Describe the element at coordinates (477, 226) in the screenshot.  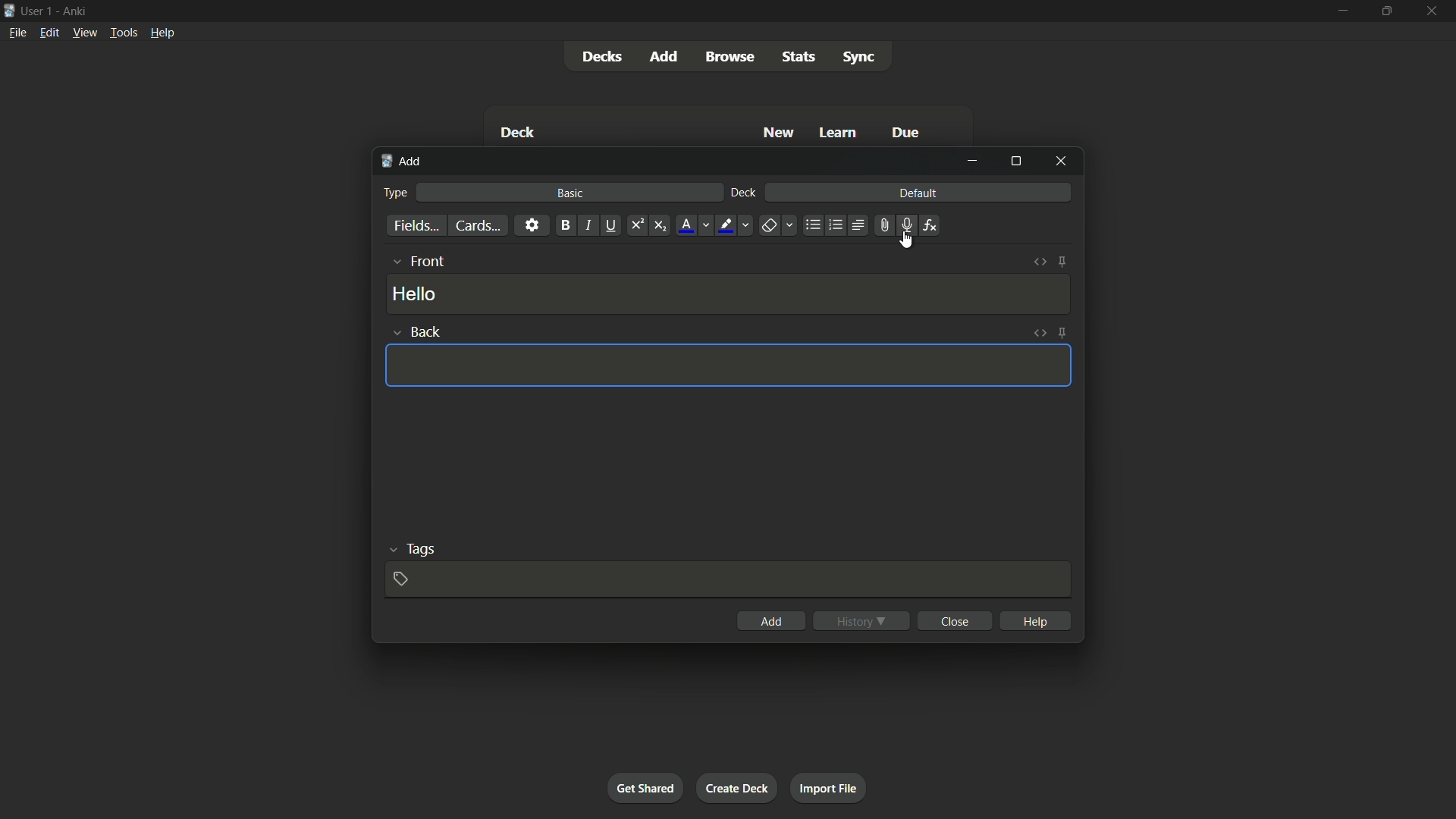
I see `cards` at that location.